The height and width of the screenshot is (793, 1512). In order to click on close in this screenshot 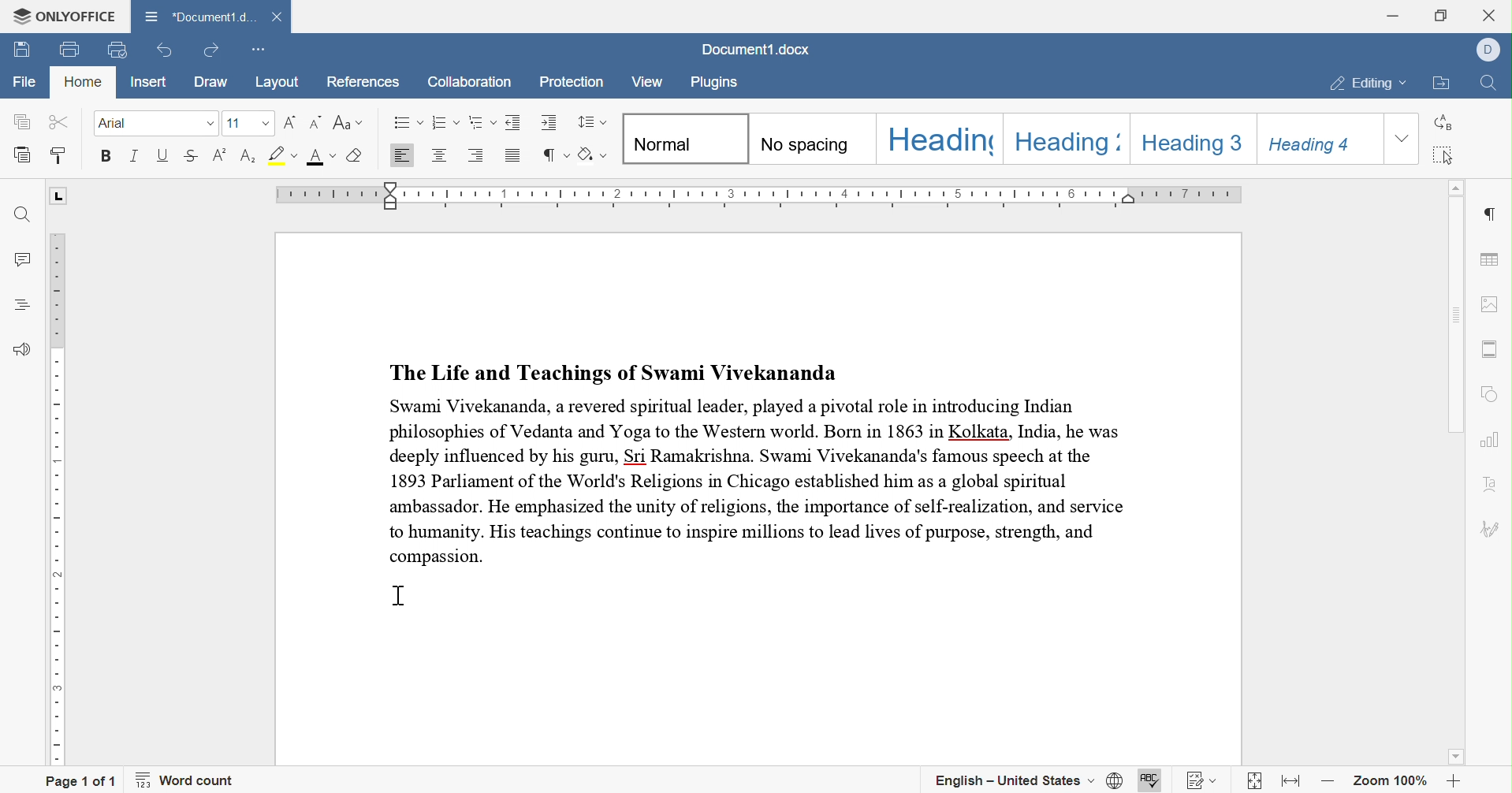, I will do `click(1492, 13)`.